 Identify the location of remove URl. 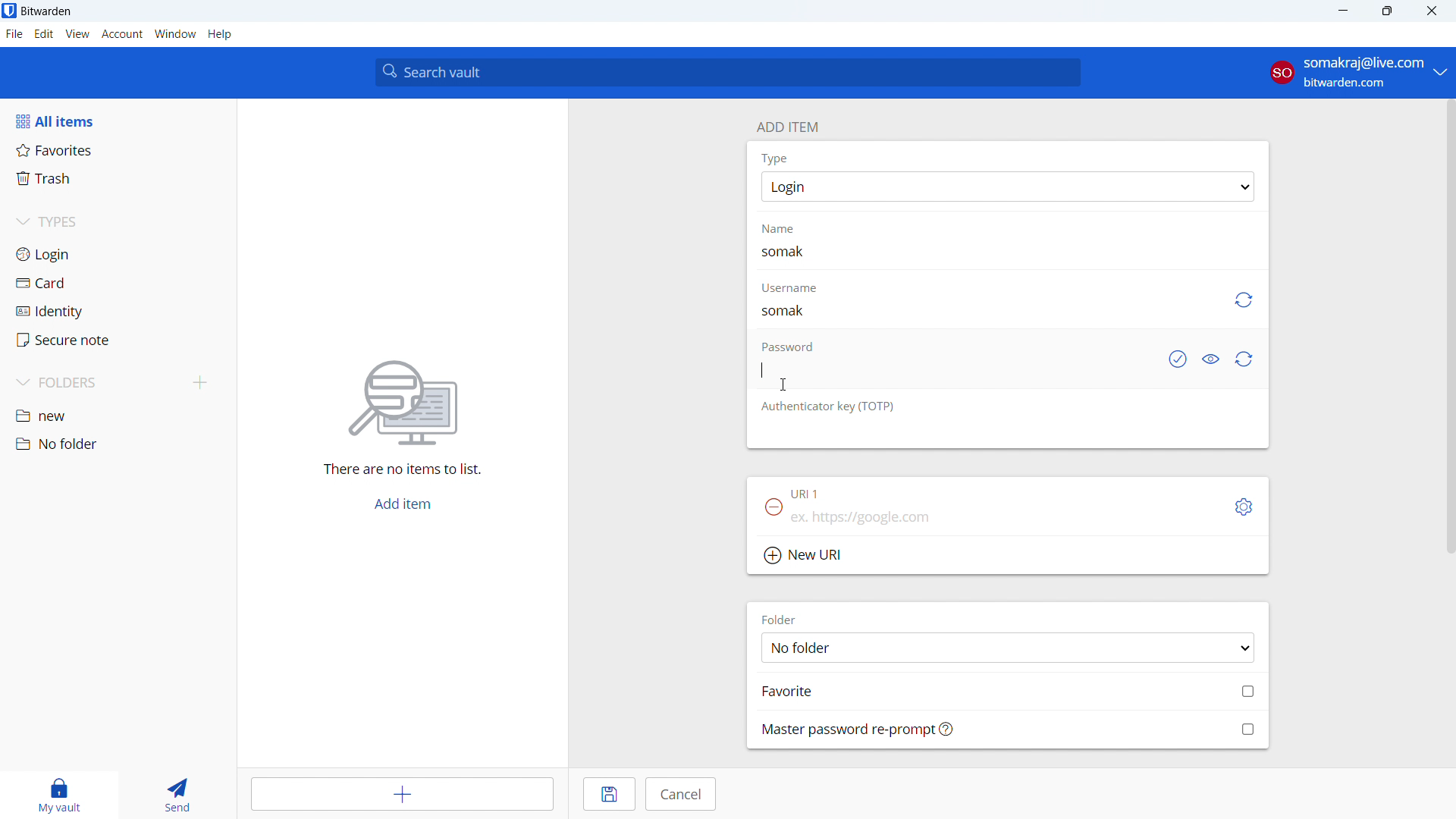
(773, 507).